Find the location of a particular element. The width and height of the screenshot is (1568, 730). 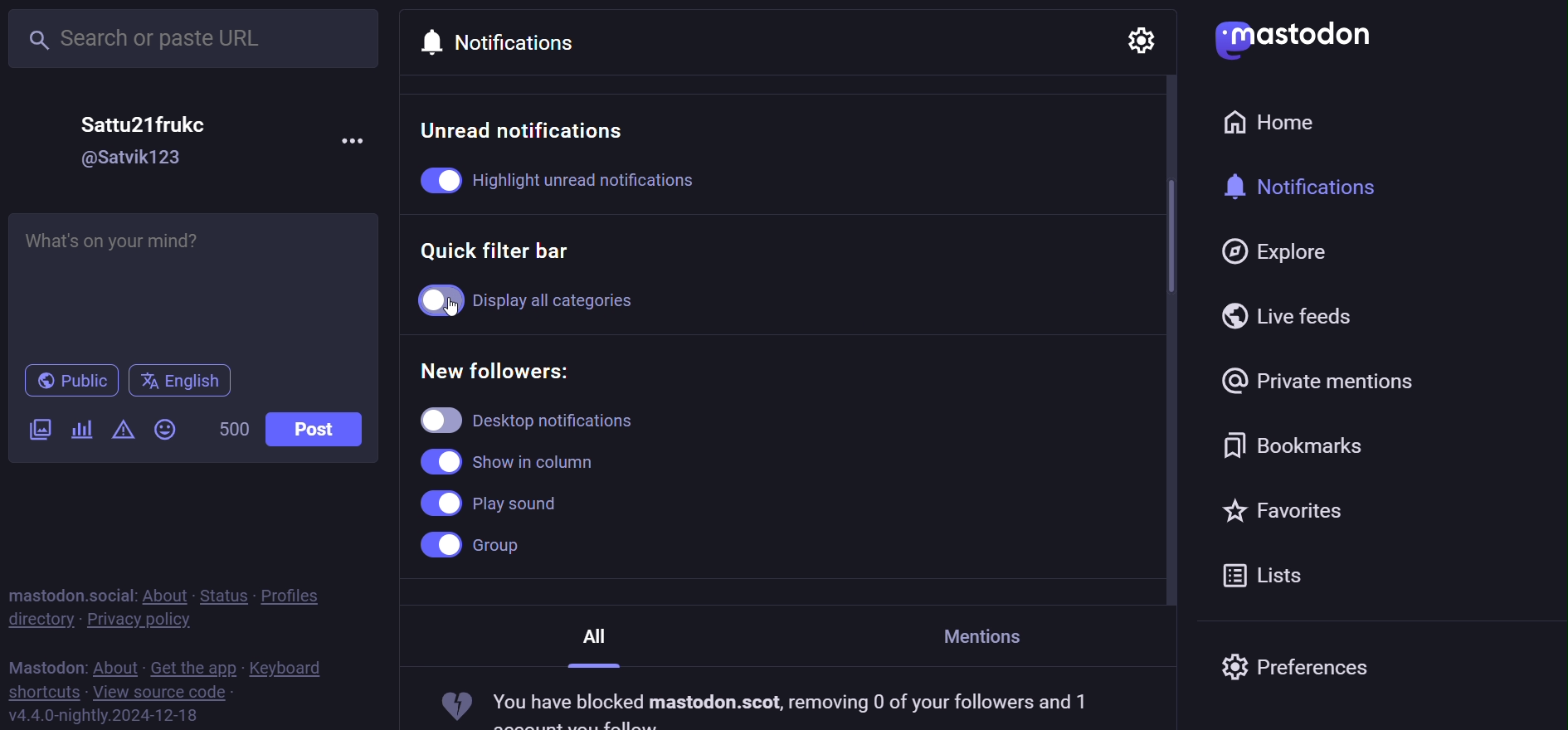

quick filter bar is located at coordinates (507, 251).